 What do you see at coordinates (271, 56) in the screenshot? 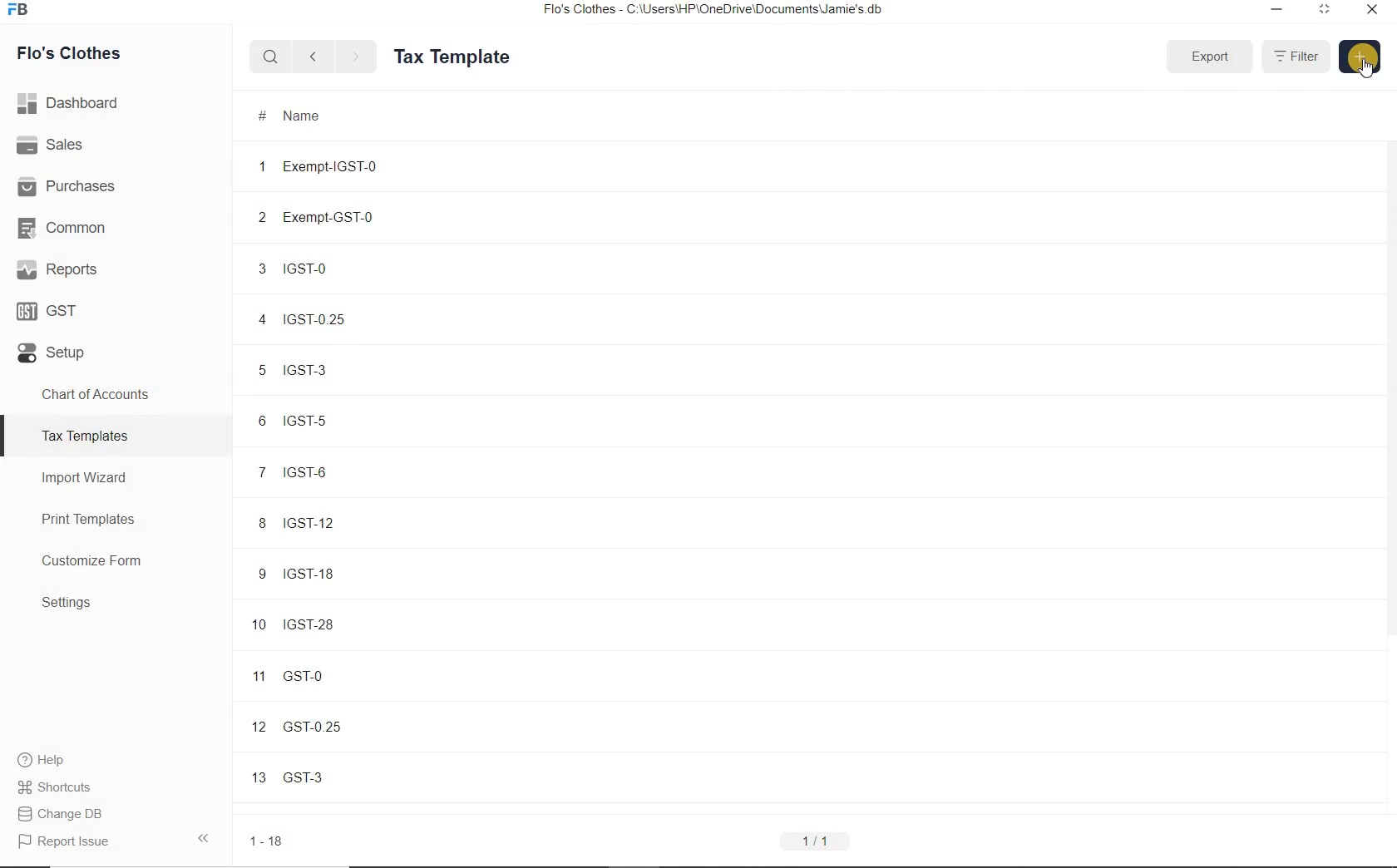
I see `Search Bar` at bounding box center [271, 56].